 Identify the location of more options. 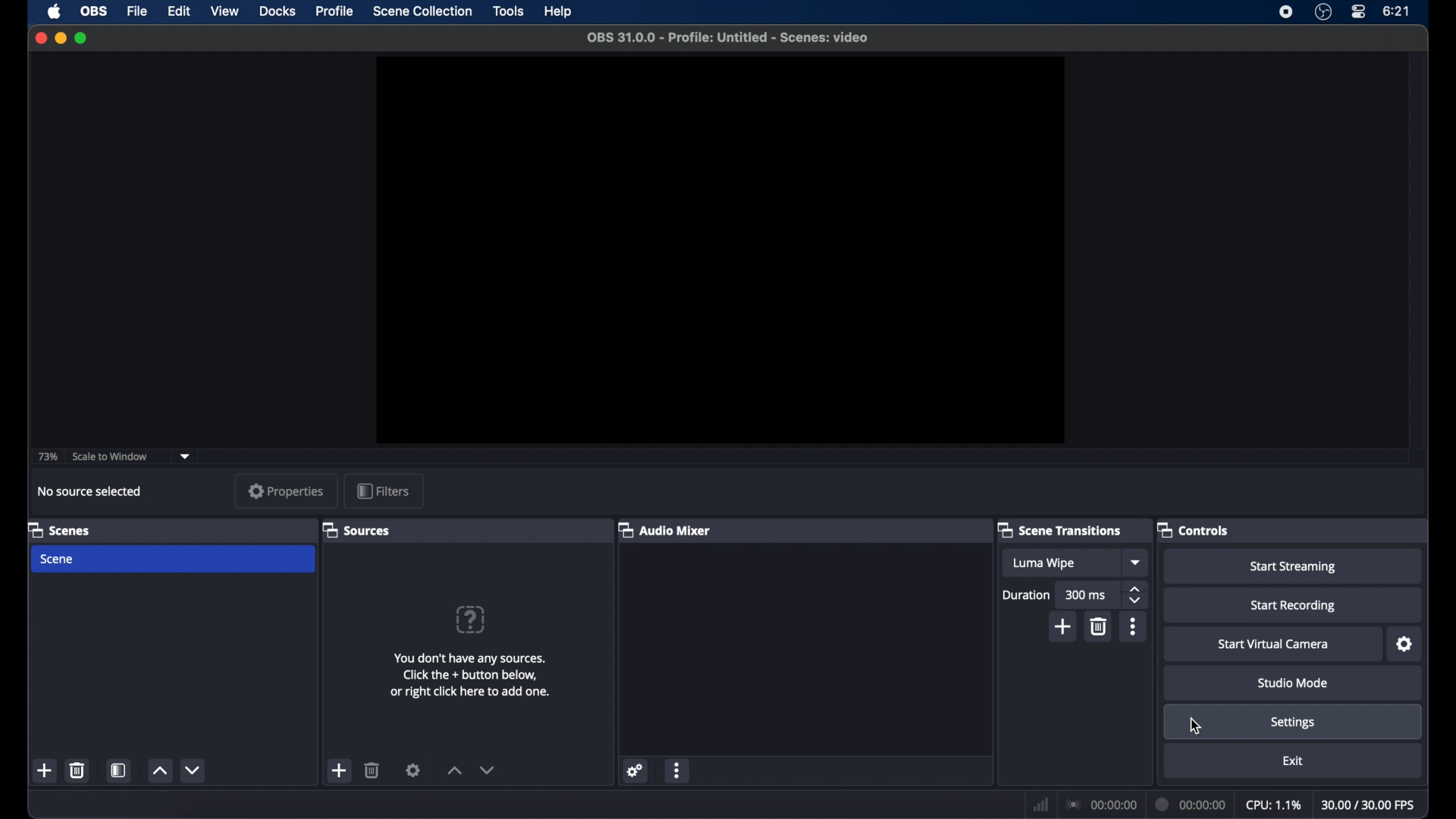
(677, 770).